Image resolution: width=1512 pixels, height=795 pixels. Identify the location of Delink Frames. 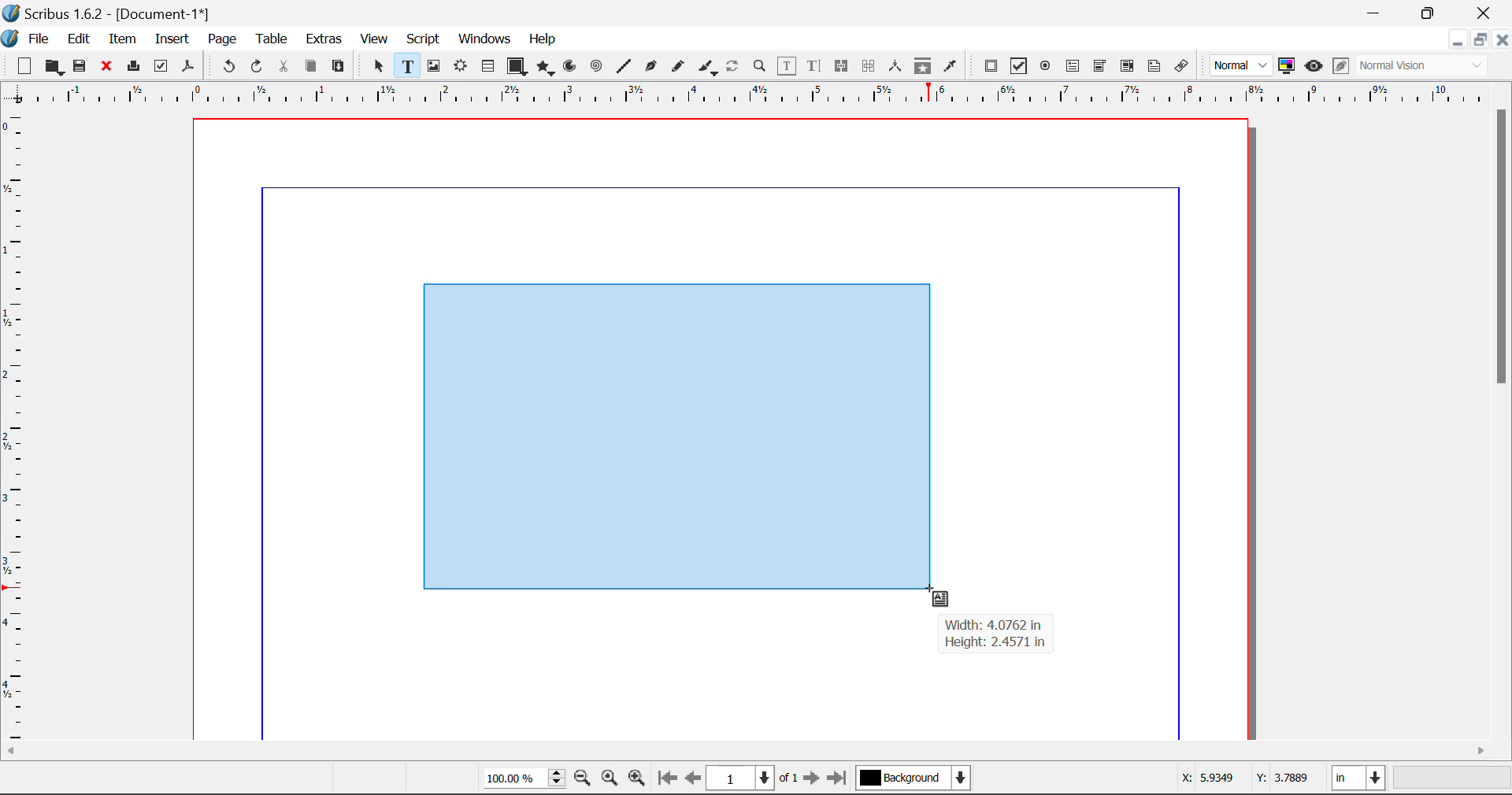
(870, 66).